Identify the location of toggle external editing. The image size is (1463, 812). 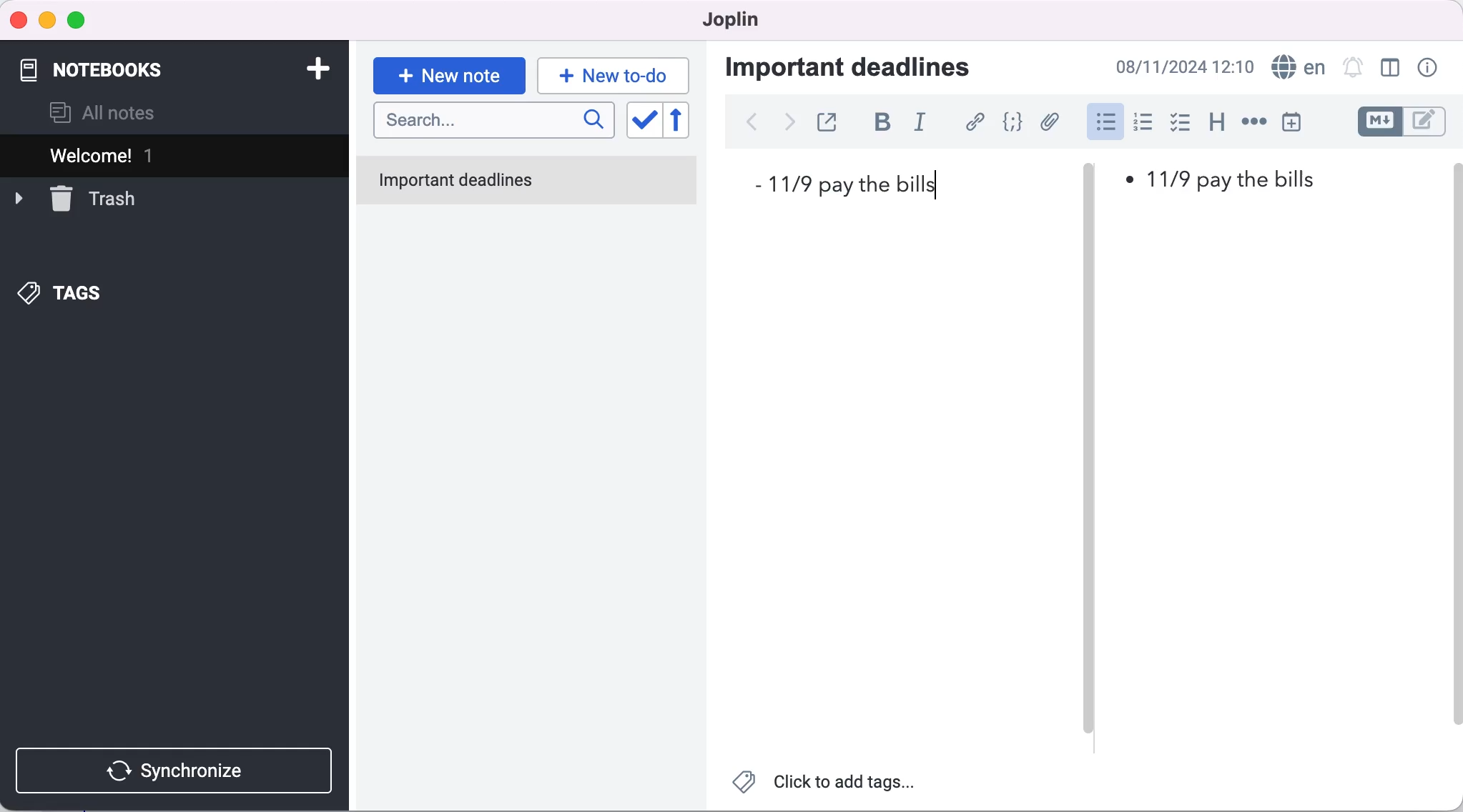
(827, 124).